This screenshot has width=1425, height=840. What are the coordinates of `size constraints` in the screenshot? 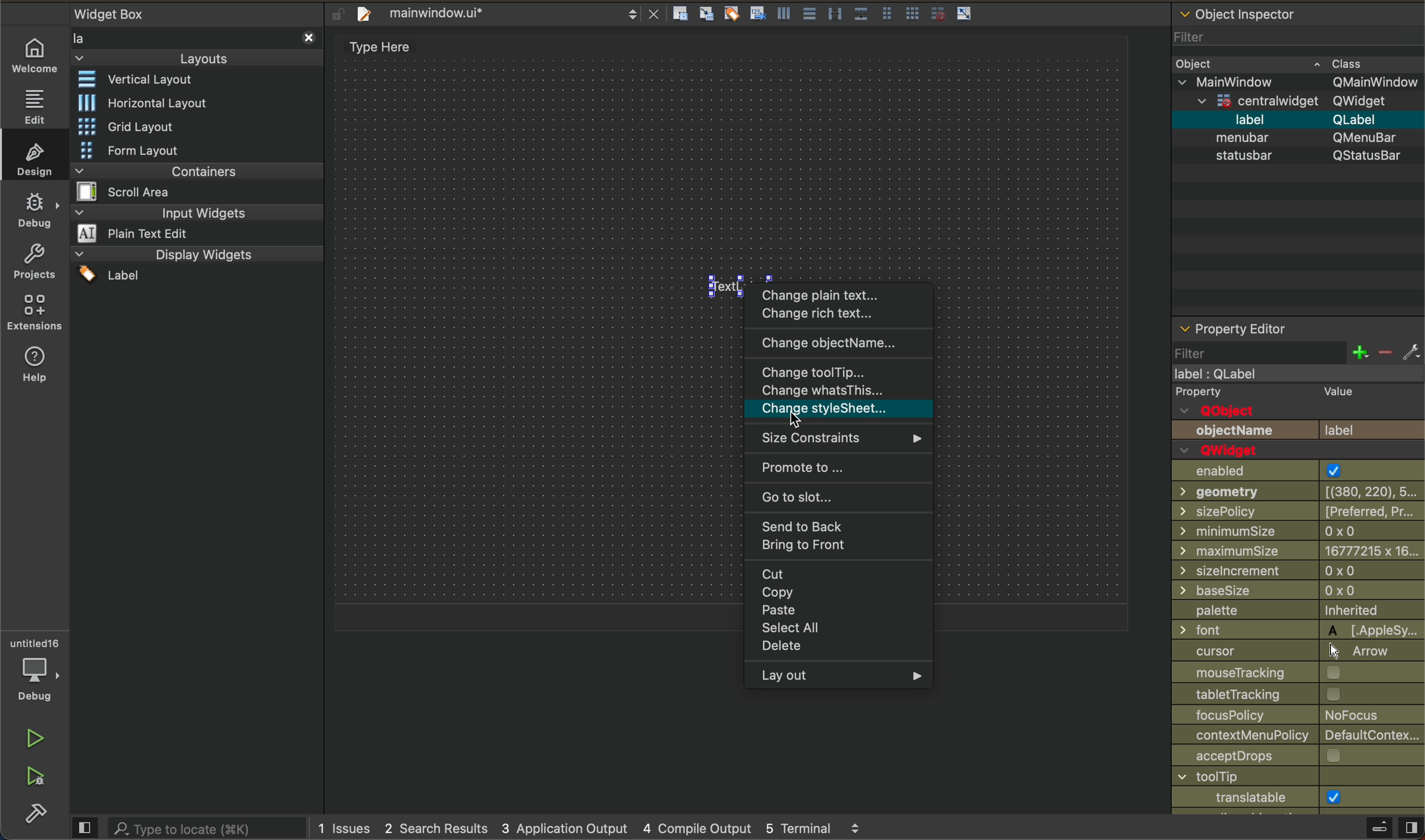 It's located at (841, 439).